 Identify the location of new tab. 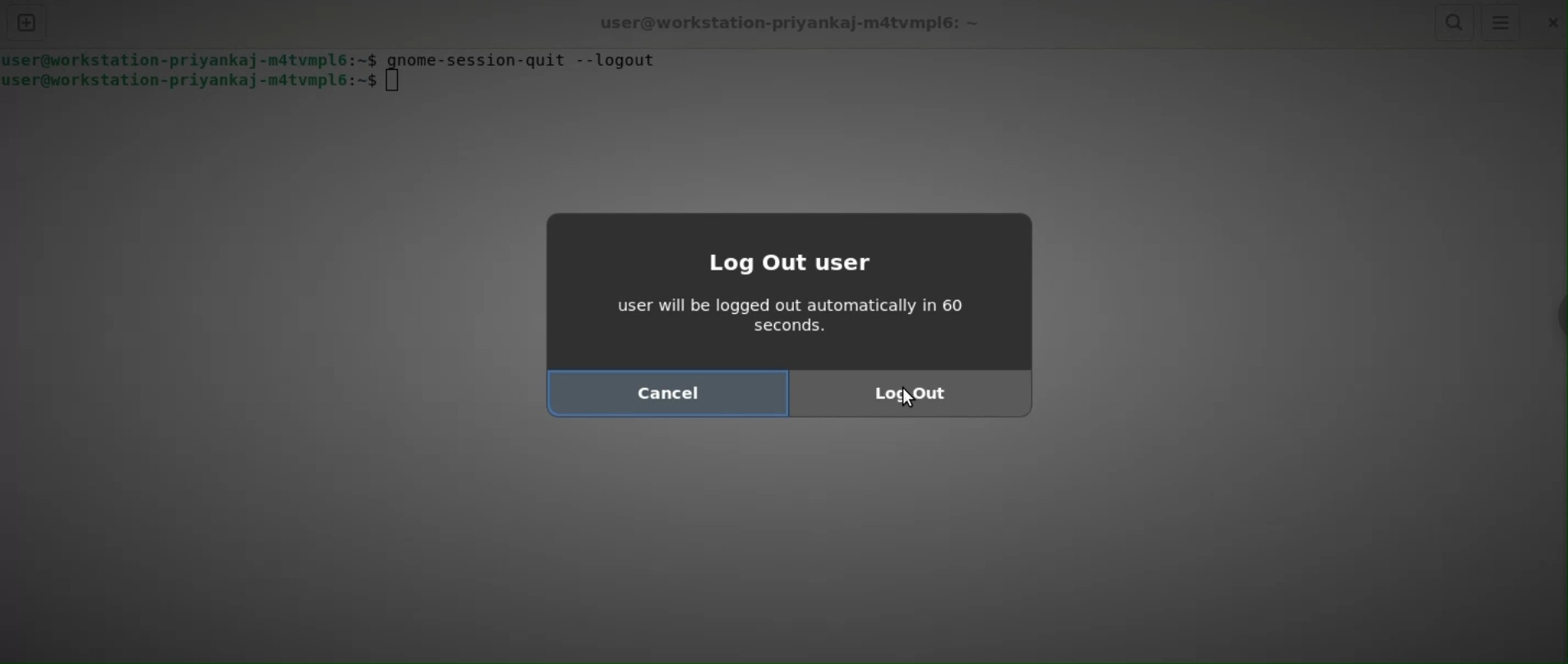
(26, 23).